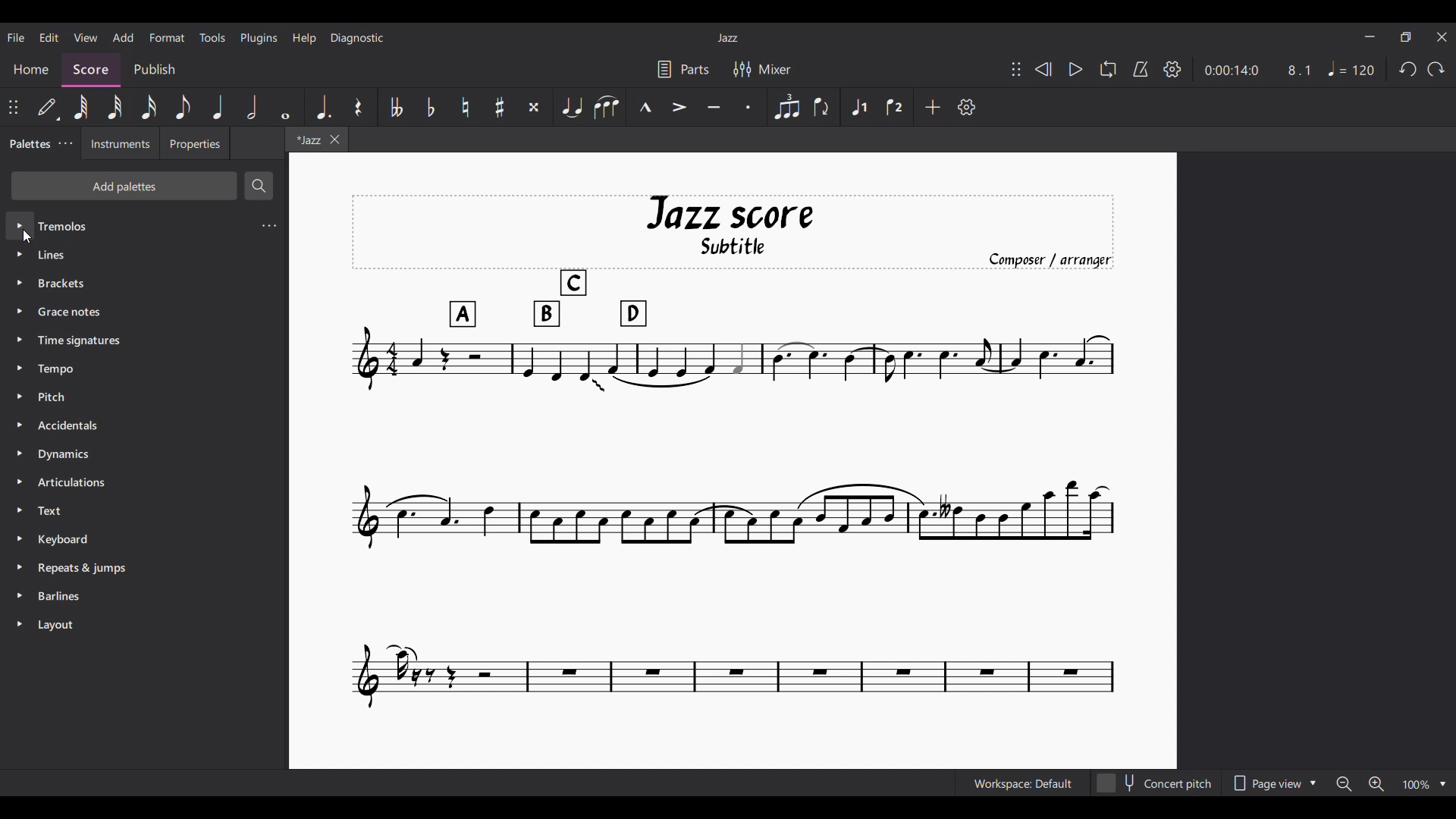 The height and width of the screenshot is (819, 1456). Describe the element at coordinates (167, 37) in the screenshot. I see `Format` at that location.